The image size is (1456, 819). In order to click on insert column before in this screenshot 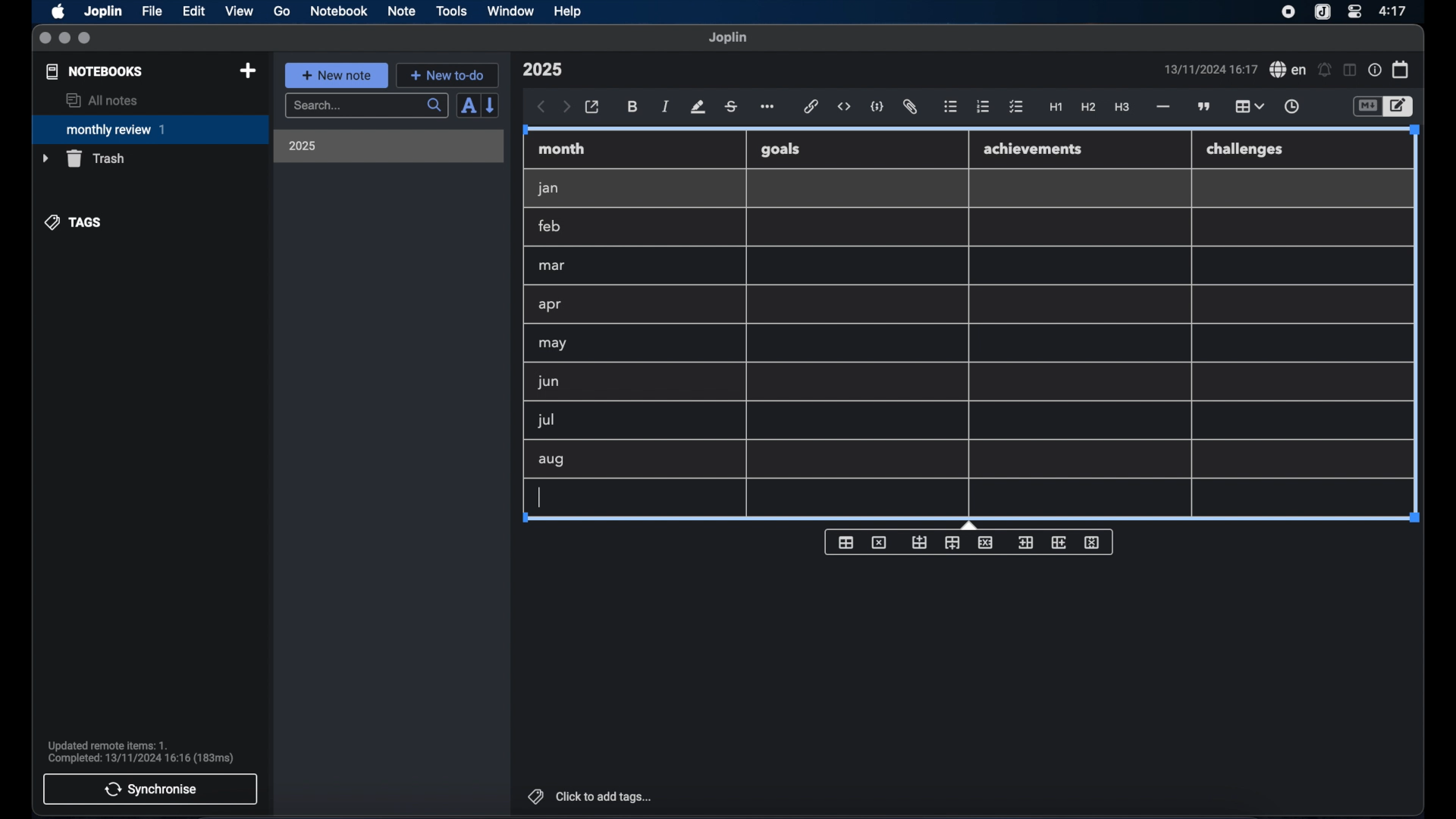, I will do `click(1025, 543)`.